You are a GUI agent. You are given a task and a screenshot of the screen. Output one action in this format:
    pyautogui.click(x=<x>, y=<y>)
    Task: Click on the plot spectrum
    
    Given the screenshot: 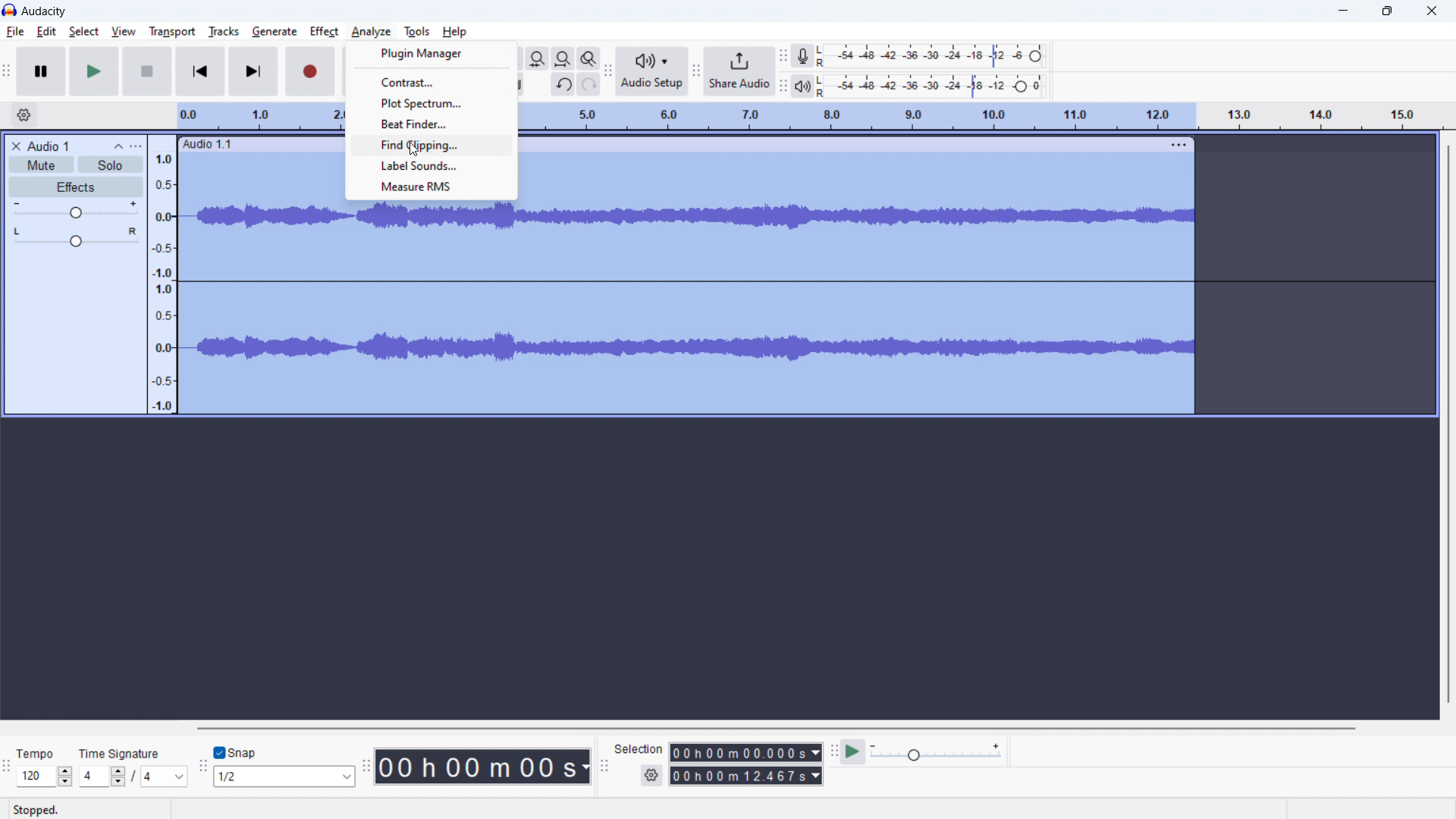 What is the action you would take?
    pyautogui.click(x=434, y=104)
    